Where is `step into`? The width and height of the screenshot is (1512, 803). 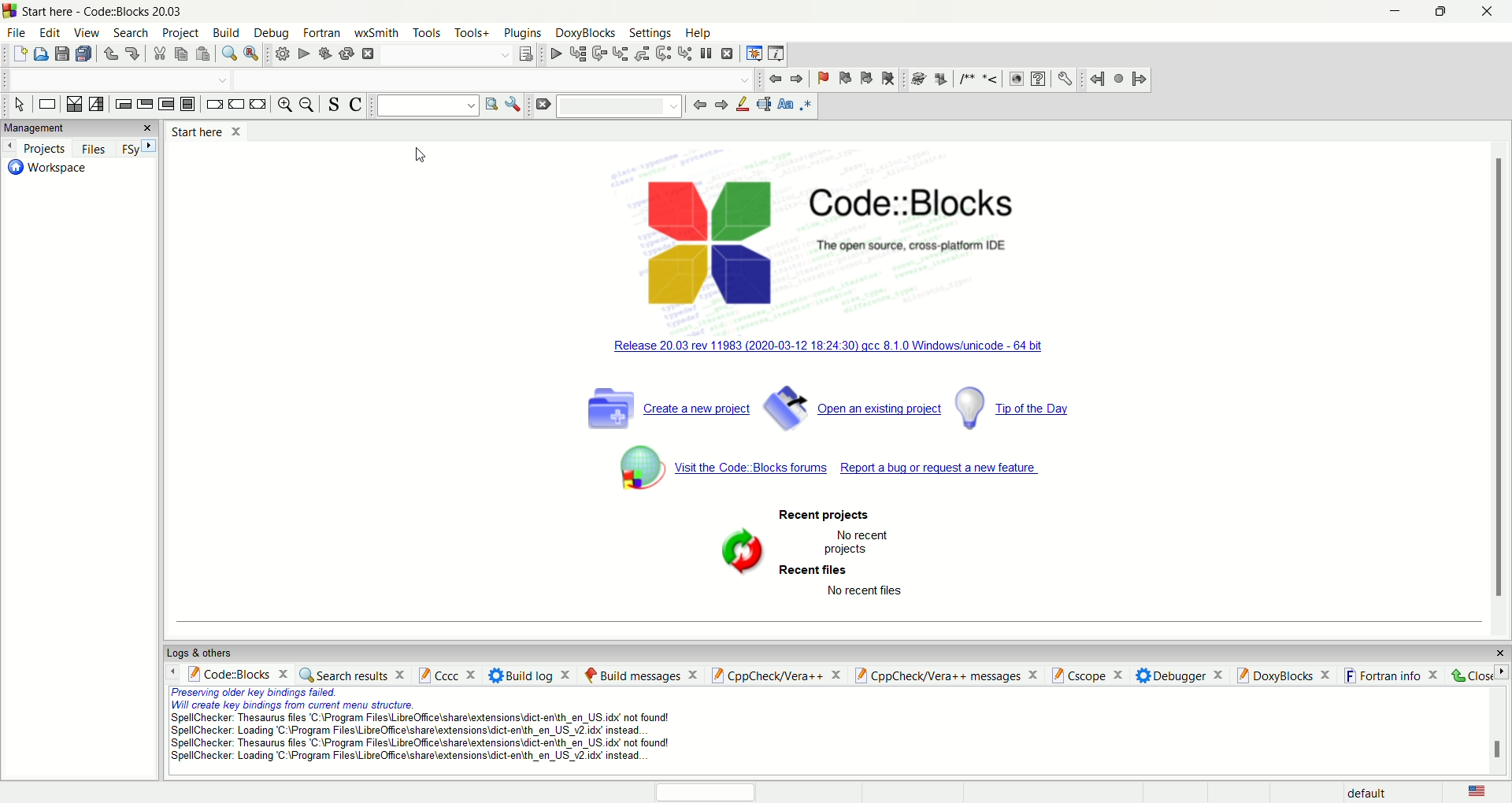 step into is located at coordinates (621, 56).